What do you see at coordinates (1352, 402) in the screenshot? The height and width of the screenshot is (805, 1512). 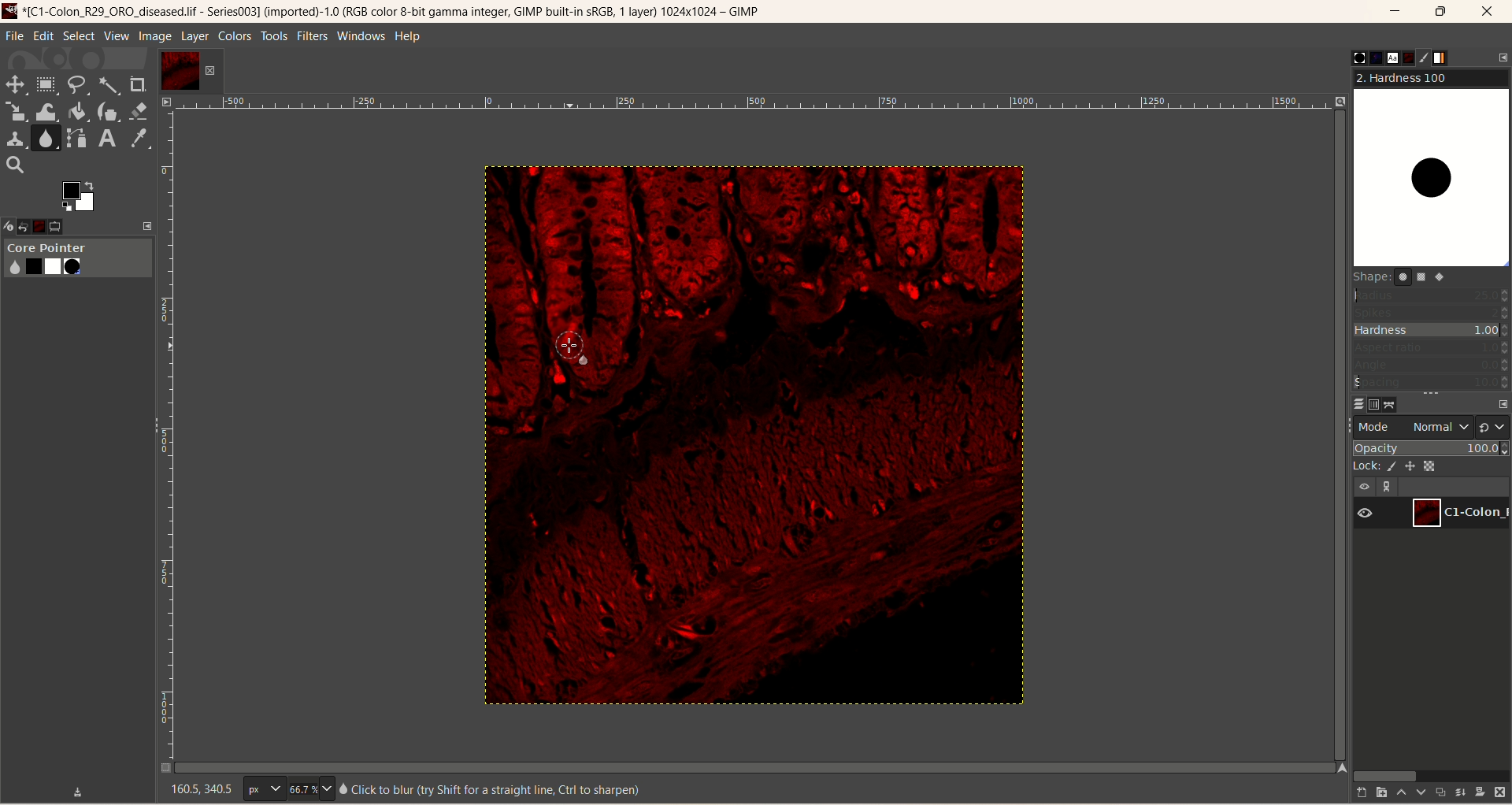 I see `layers` at bounding box center [1352, 402].